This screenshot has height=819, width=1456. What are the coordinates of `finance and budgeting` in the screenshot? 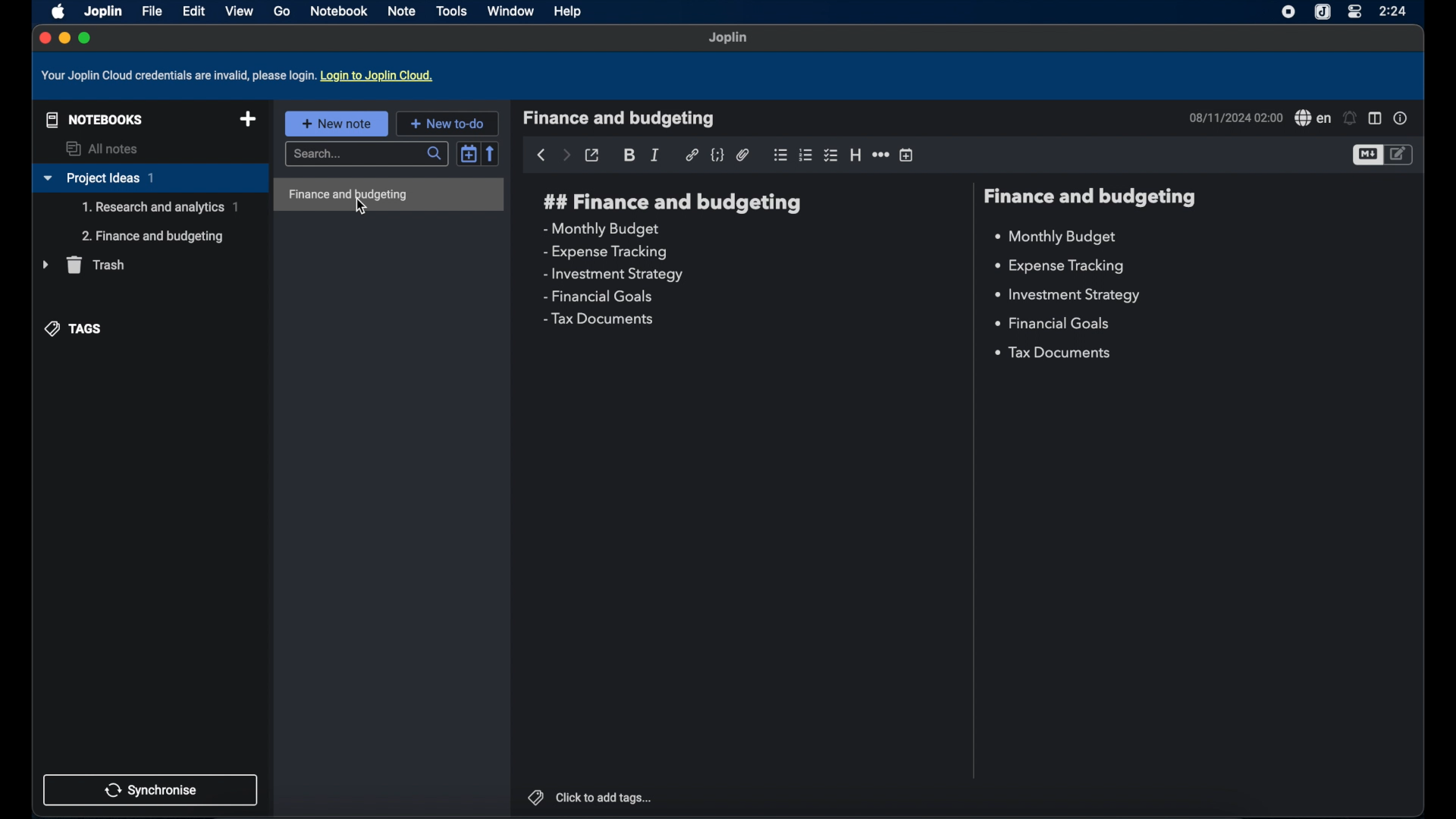 It's located at (1092, 197).